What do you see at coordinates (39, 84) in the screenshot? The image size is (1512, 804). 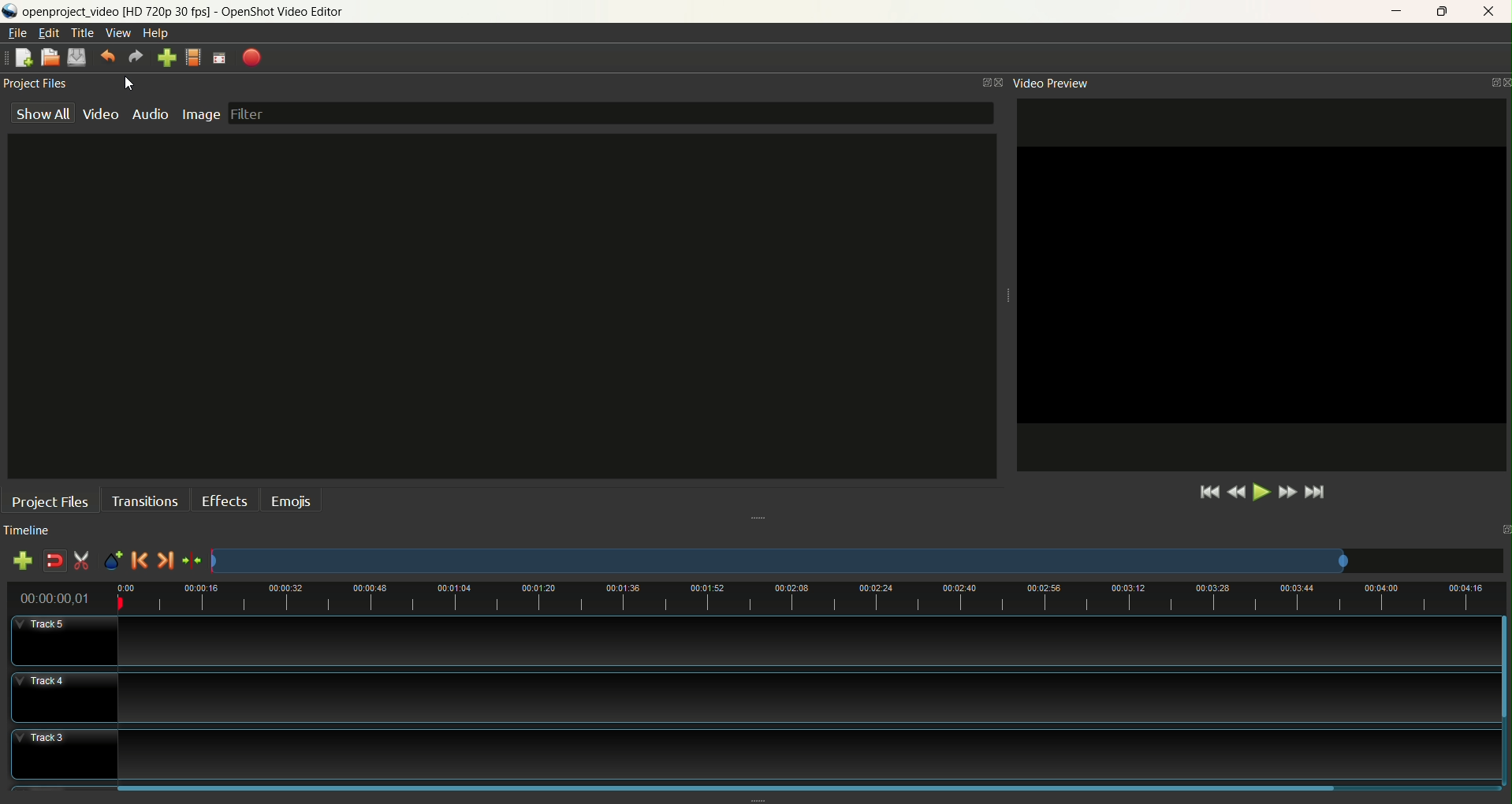 I see `project files` at bounding box center [39, 84].